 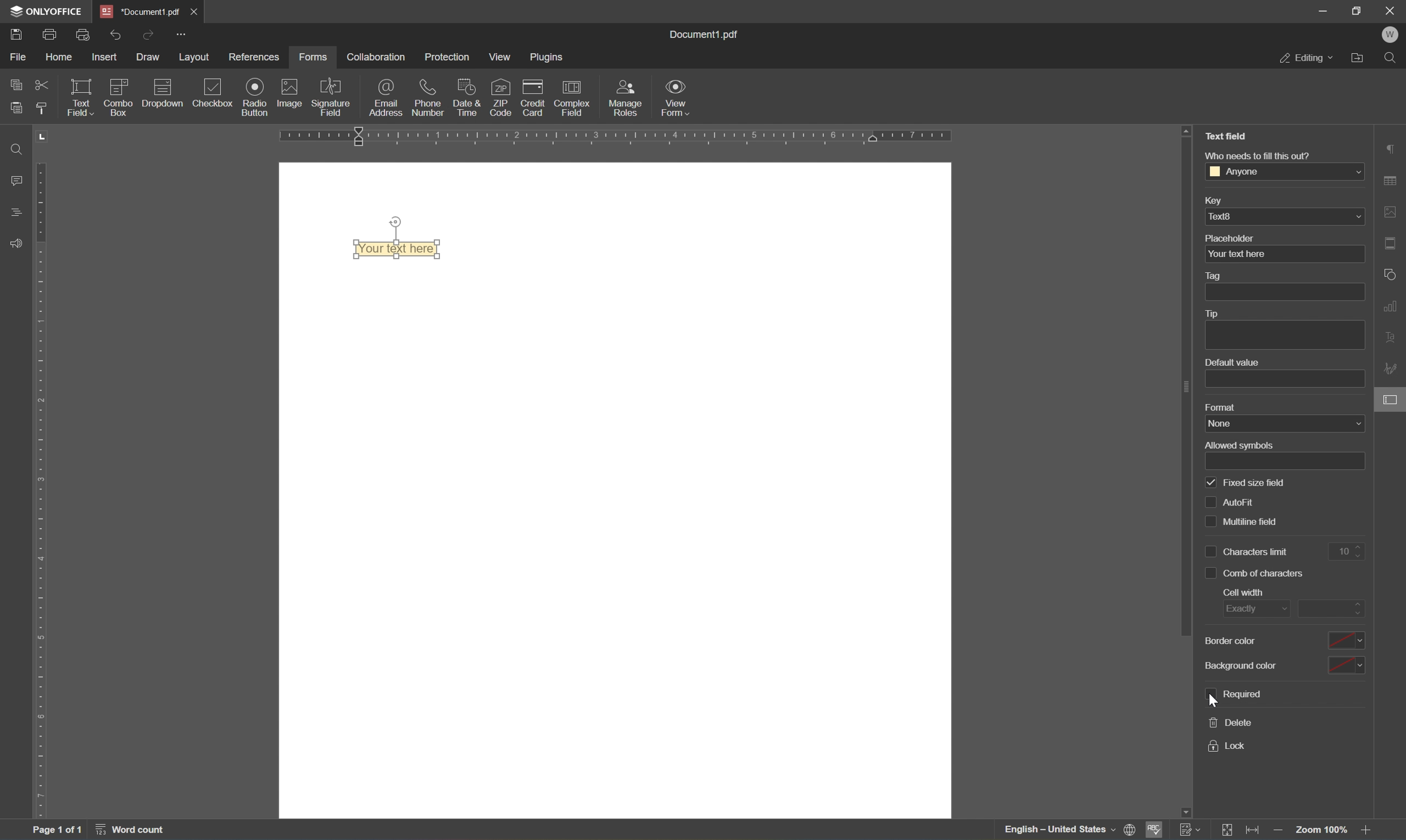 What do you see at coordinates (162, 85) in the screenshot?
I see `icon` at bounding box center [162, 85].